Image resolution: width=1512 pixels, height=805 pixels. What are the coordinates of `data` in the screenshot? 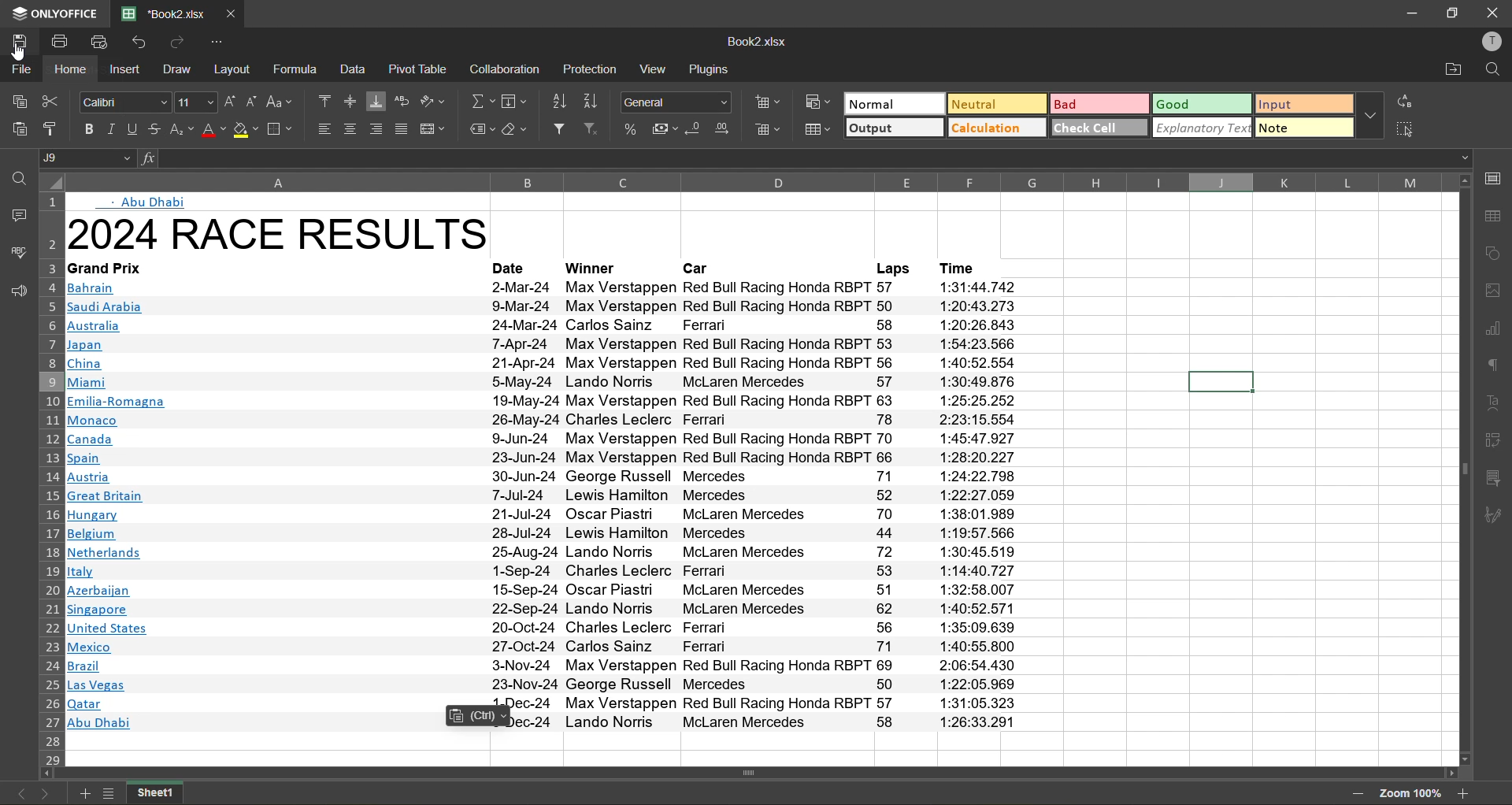 It's located at (354, 70).